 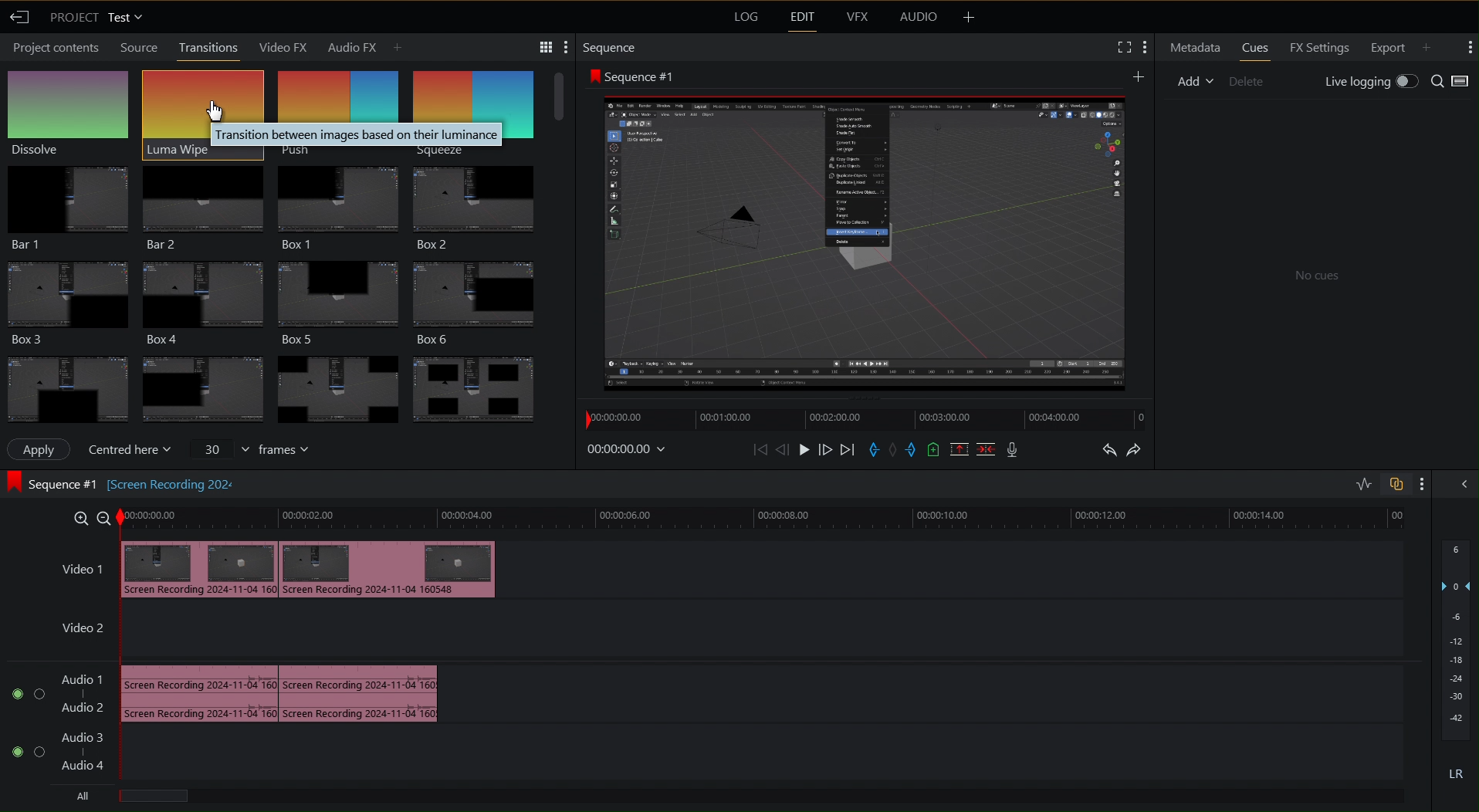 I want to click on Box 5, so click(x=341, y=297).